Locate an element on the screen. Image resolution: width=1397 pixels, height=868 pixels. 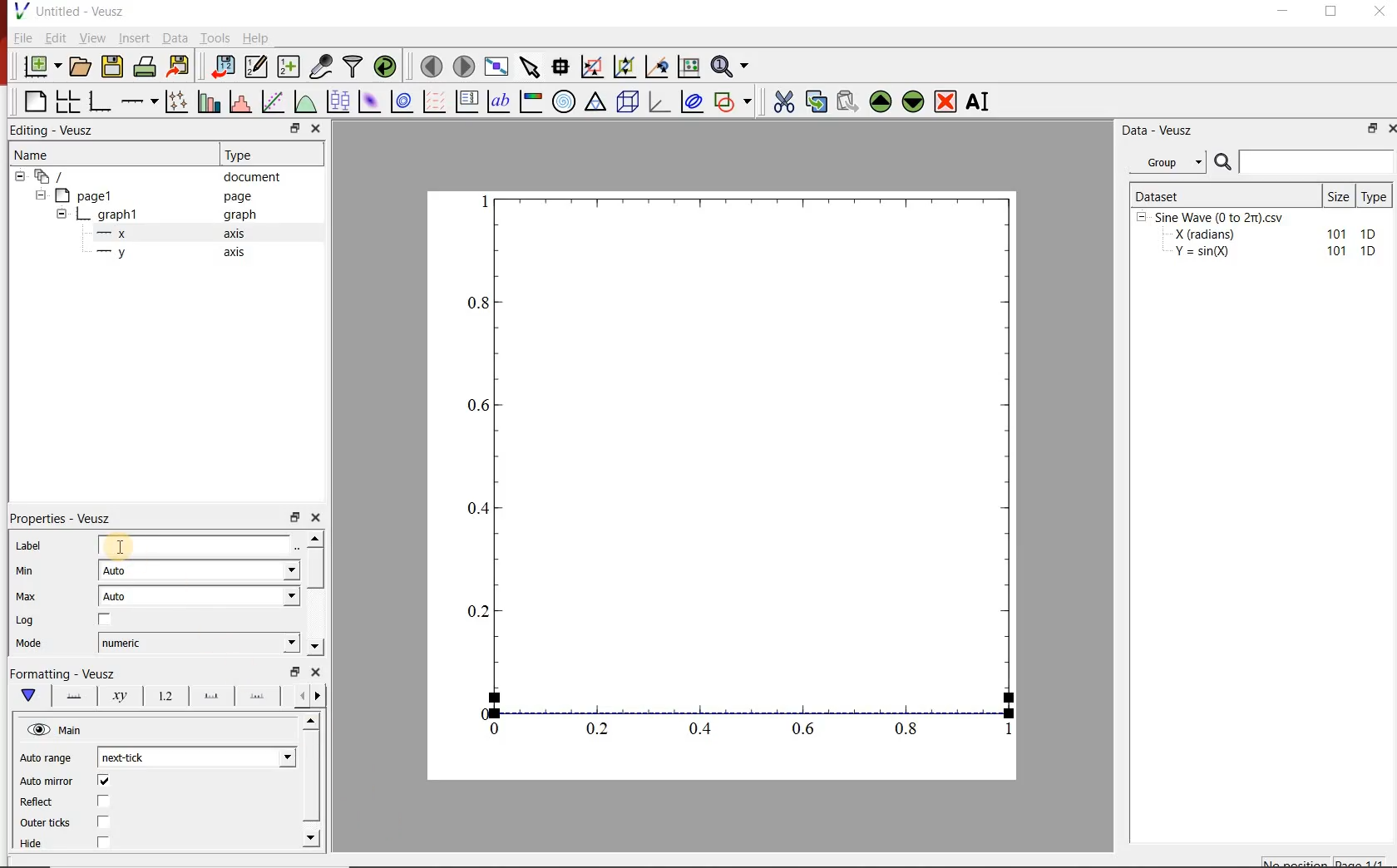
3d graph is located at coordinates (659, 101).